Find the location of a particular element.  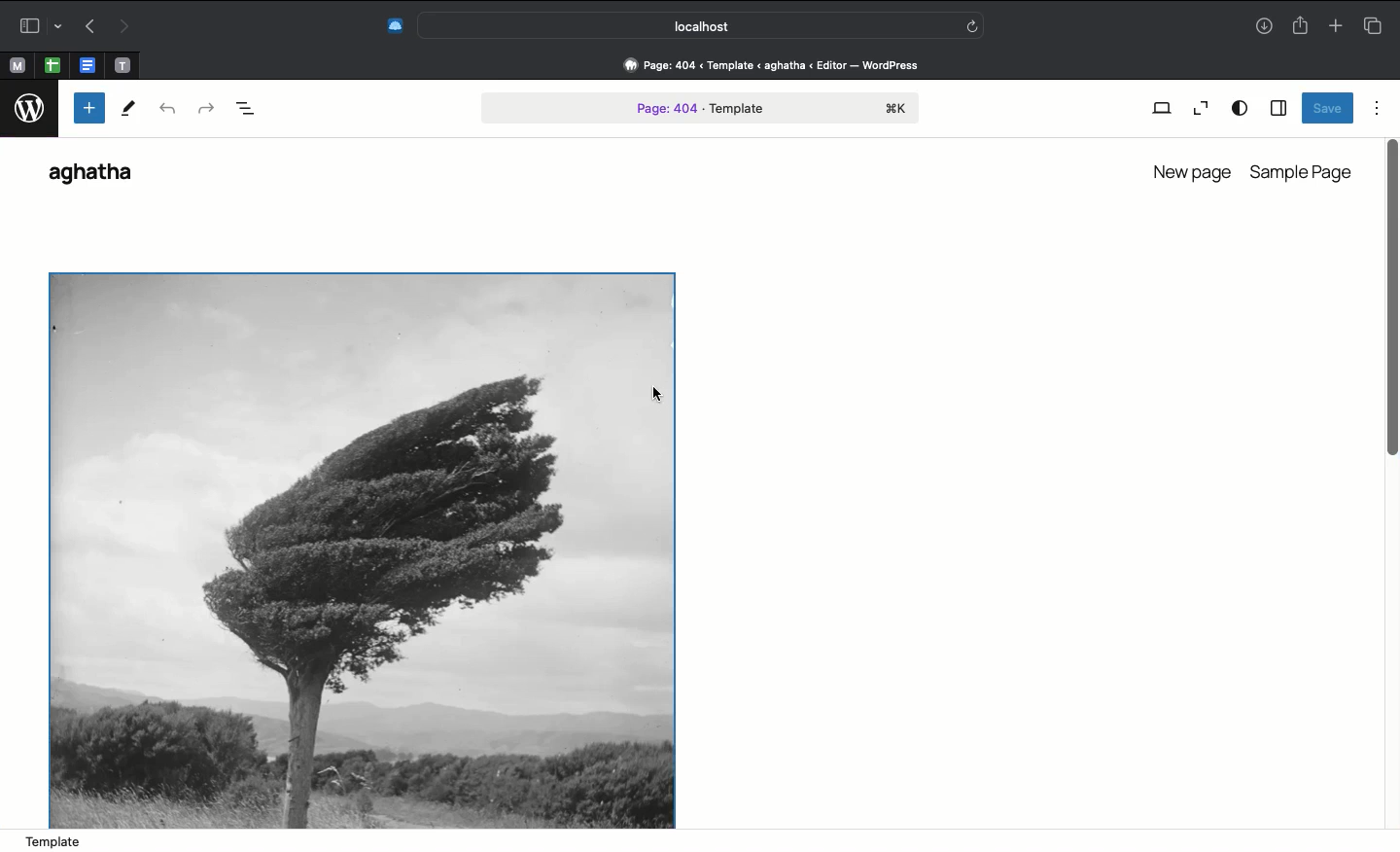

Add new block is located at coordinates (87, 108).